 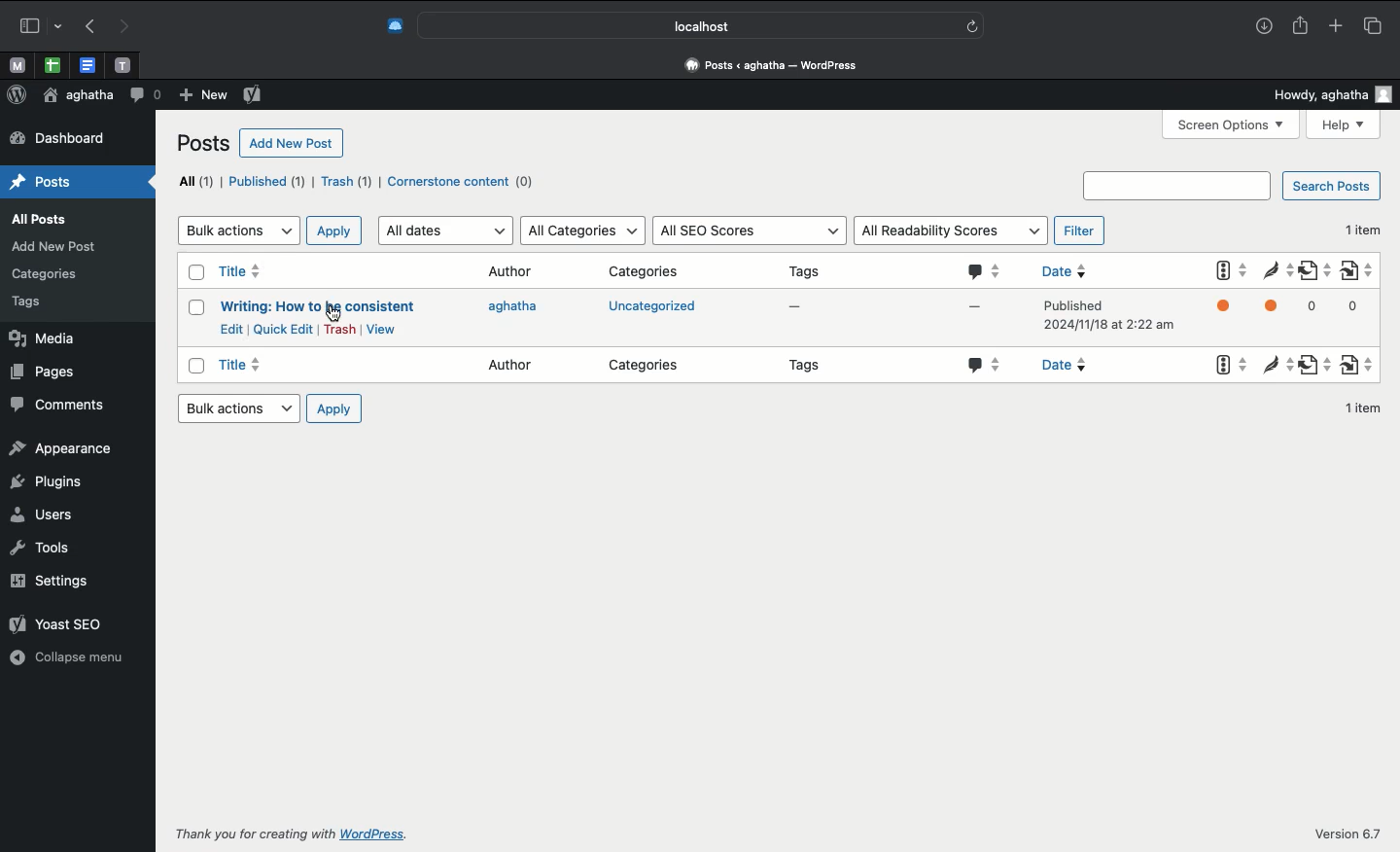 I want to click on Internal links, so click(x=1360, y=364).